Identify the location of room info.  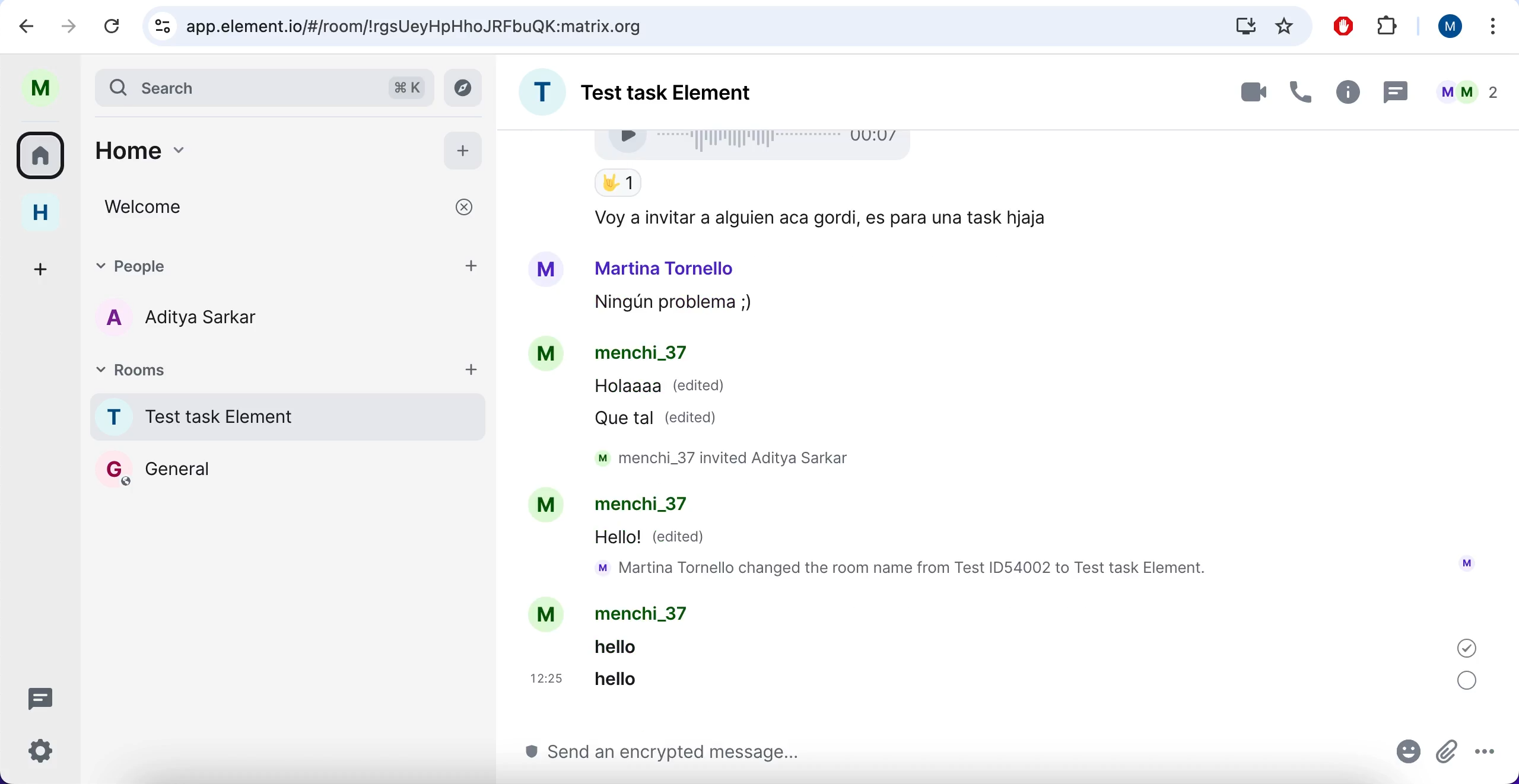
(1345, 94).